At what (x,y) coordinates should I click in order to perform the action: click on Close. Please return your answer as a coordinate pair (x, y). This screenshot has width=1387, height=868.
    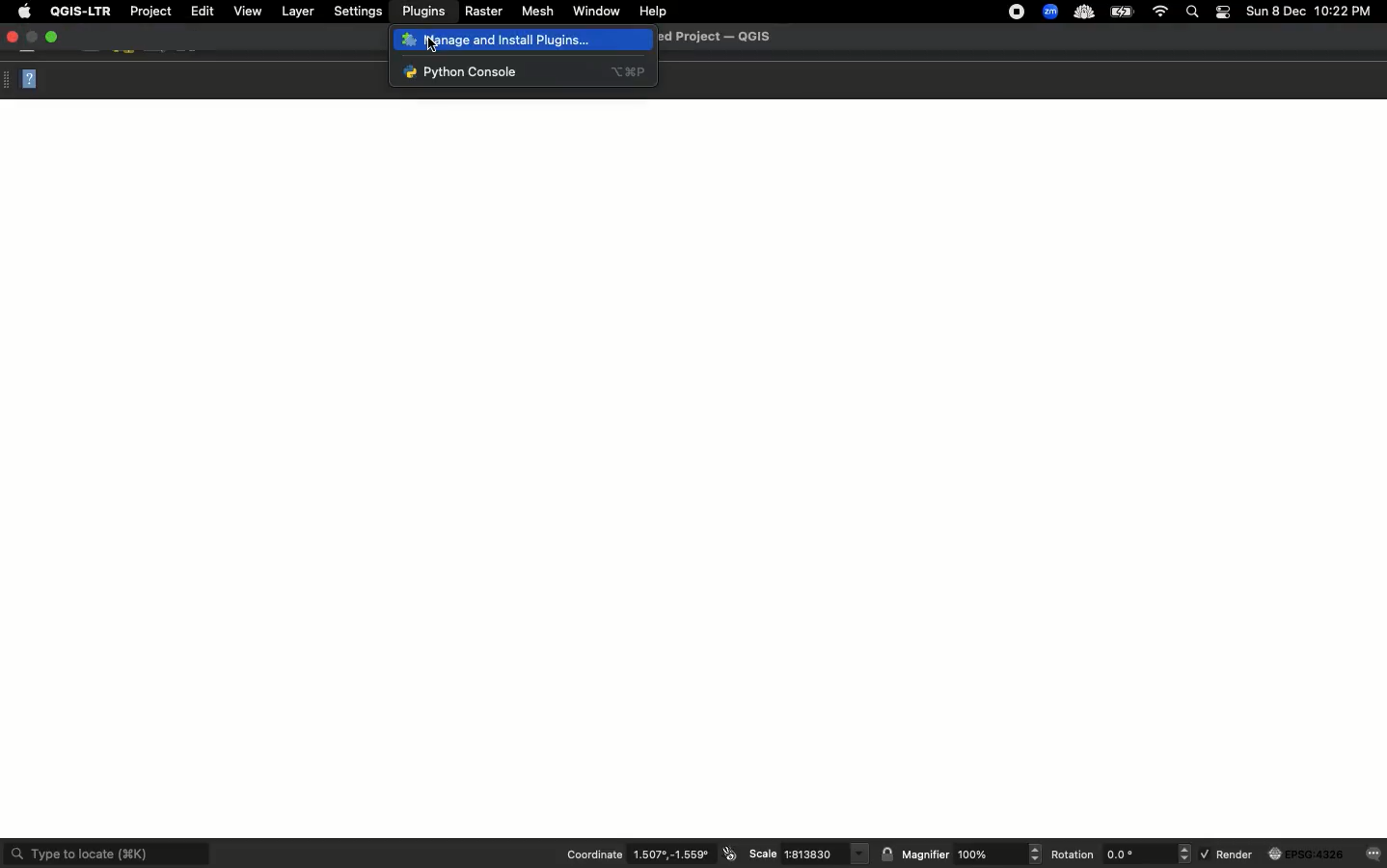
    Looking at the image, I should click on (26, 78).